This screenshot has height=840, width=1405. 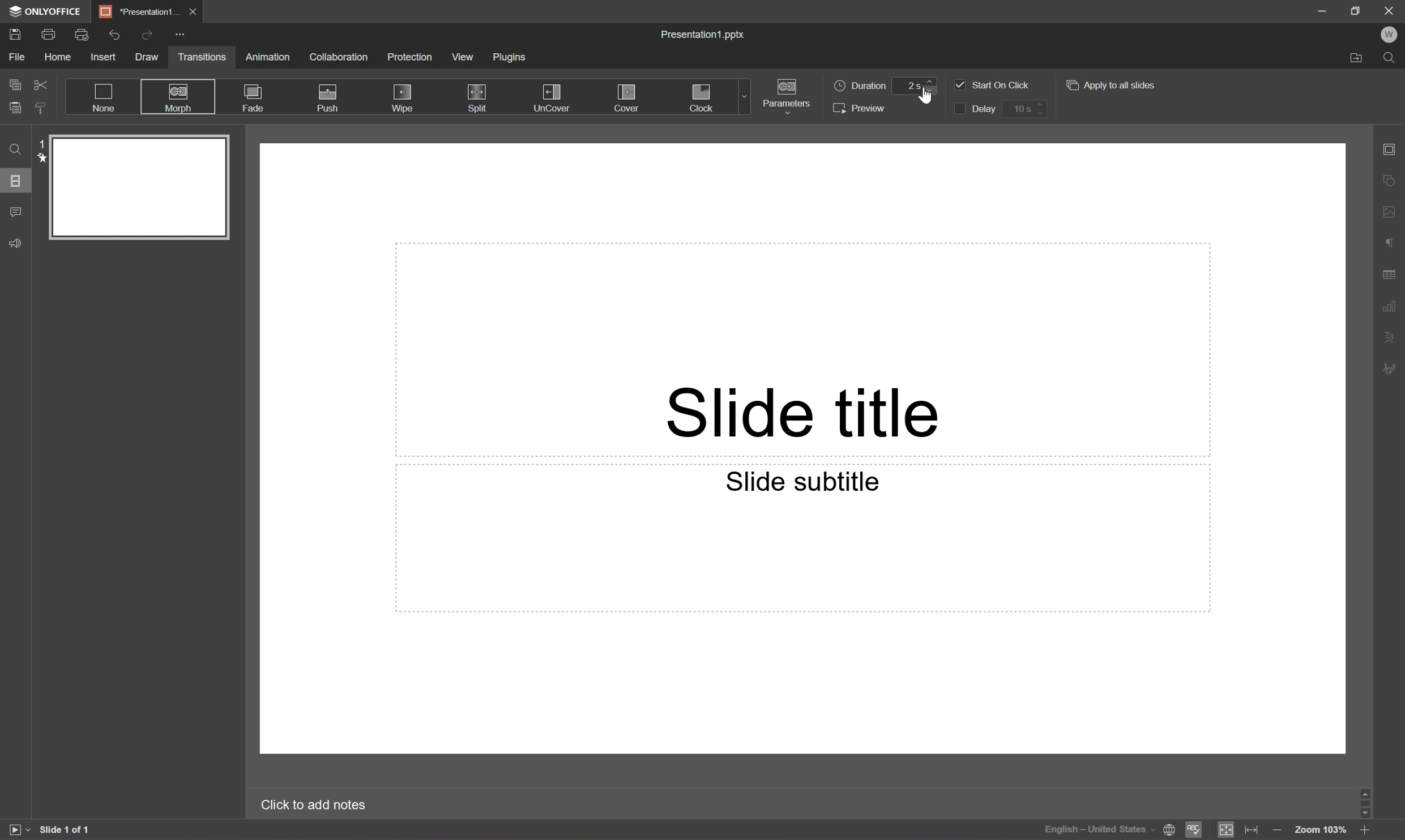 What do you see at coordinates (1022, 110) in the screenshot?
I see `10 s` at bounding box center [1022, 110].